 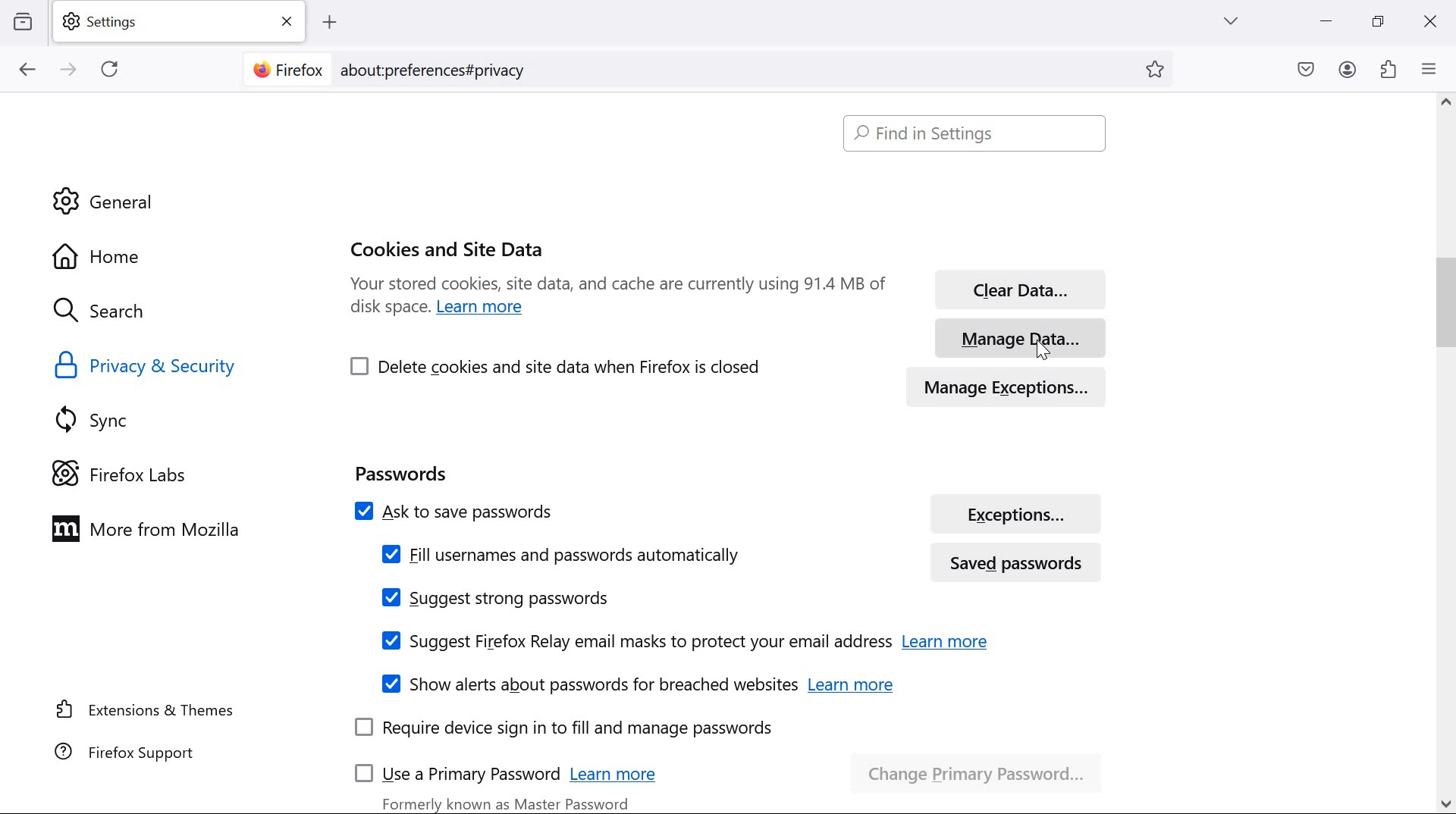 I want to click on Formerly known as Master Password, so click(x=508, y=801).